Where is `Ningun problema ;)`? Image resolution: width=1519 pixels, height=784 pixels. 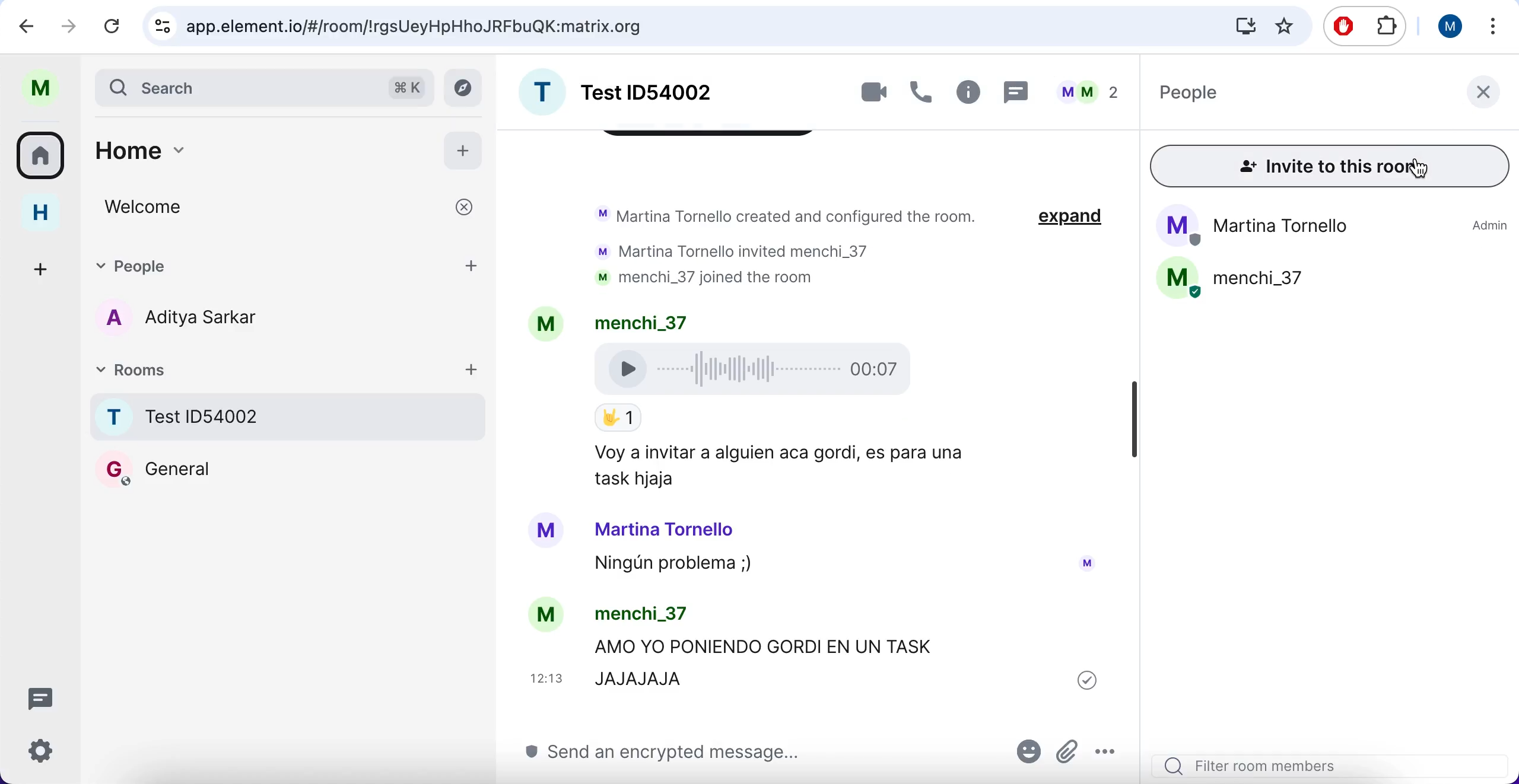
Ningun problema ;) is located at coordinates (685, 565).